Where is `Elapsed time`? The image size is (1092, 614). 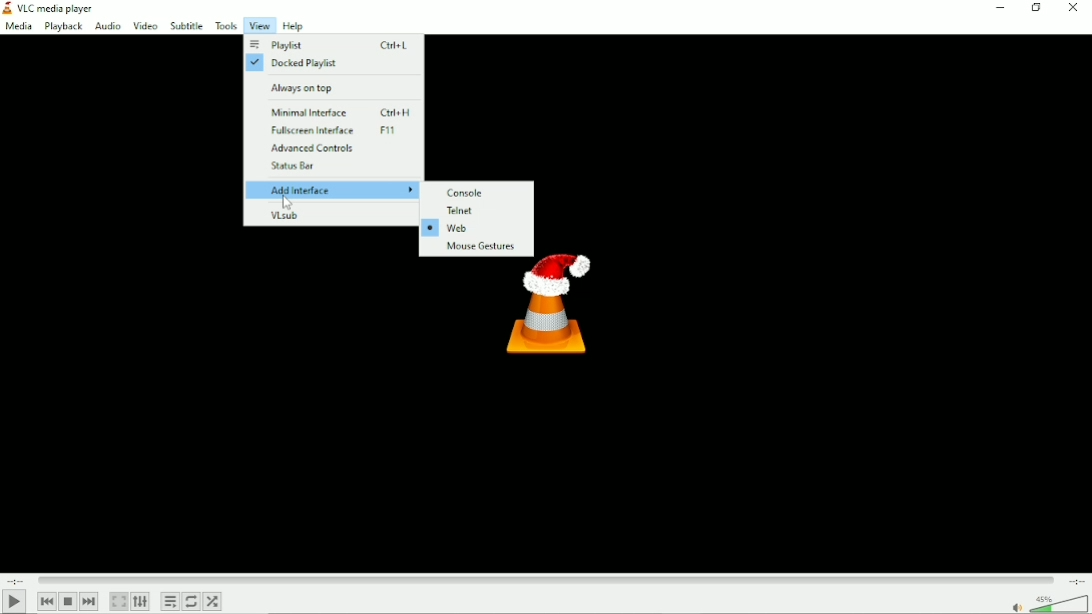
Elapsed time is located at coordinates (16, 580).